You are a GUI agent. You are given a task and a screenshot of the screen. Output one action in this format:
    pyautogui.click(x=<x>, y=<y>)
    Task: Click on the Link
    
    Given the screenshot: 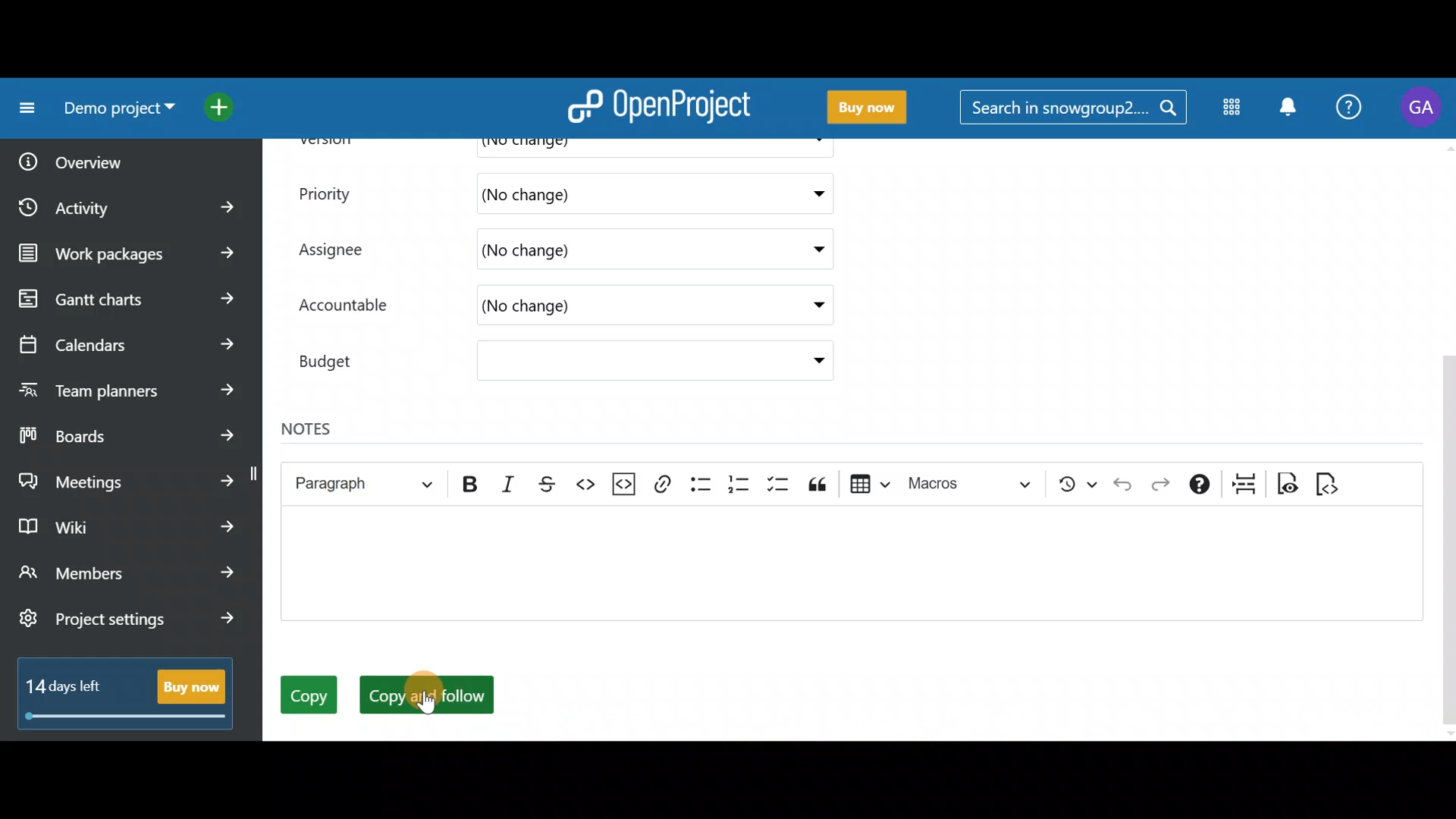 What is the action you would take?
    pyautogui.click(x=660, y=480)
    